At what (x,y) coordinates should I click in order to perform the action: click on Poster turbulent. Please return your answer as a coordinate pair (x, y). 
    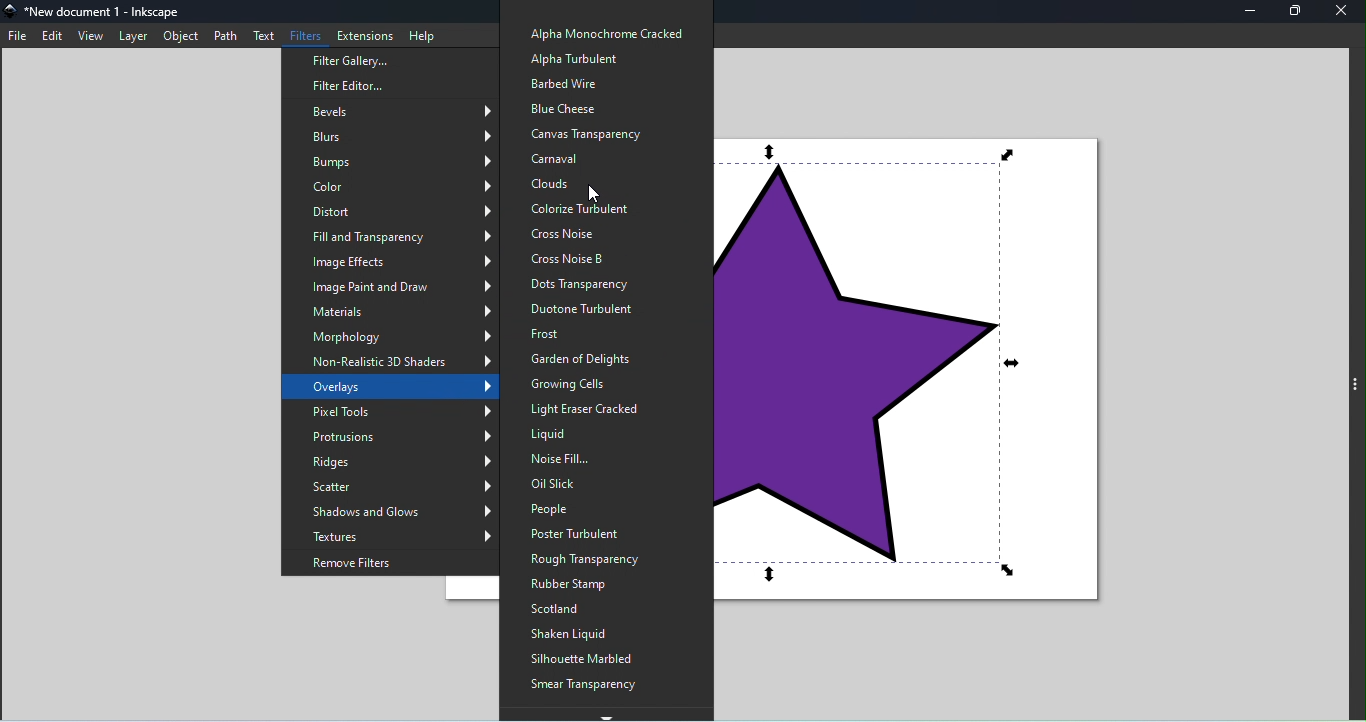
    Looking at the image, I should click on (594, 533).